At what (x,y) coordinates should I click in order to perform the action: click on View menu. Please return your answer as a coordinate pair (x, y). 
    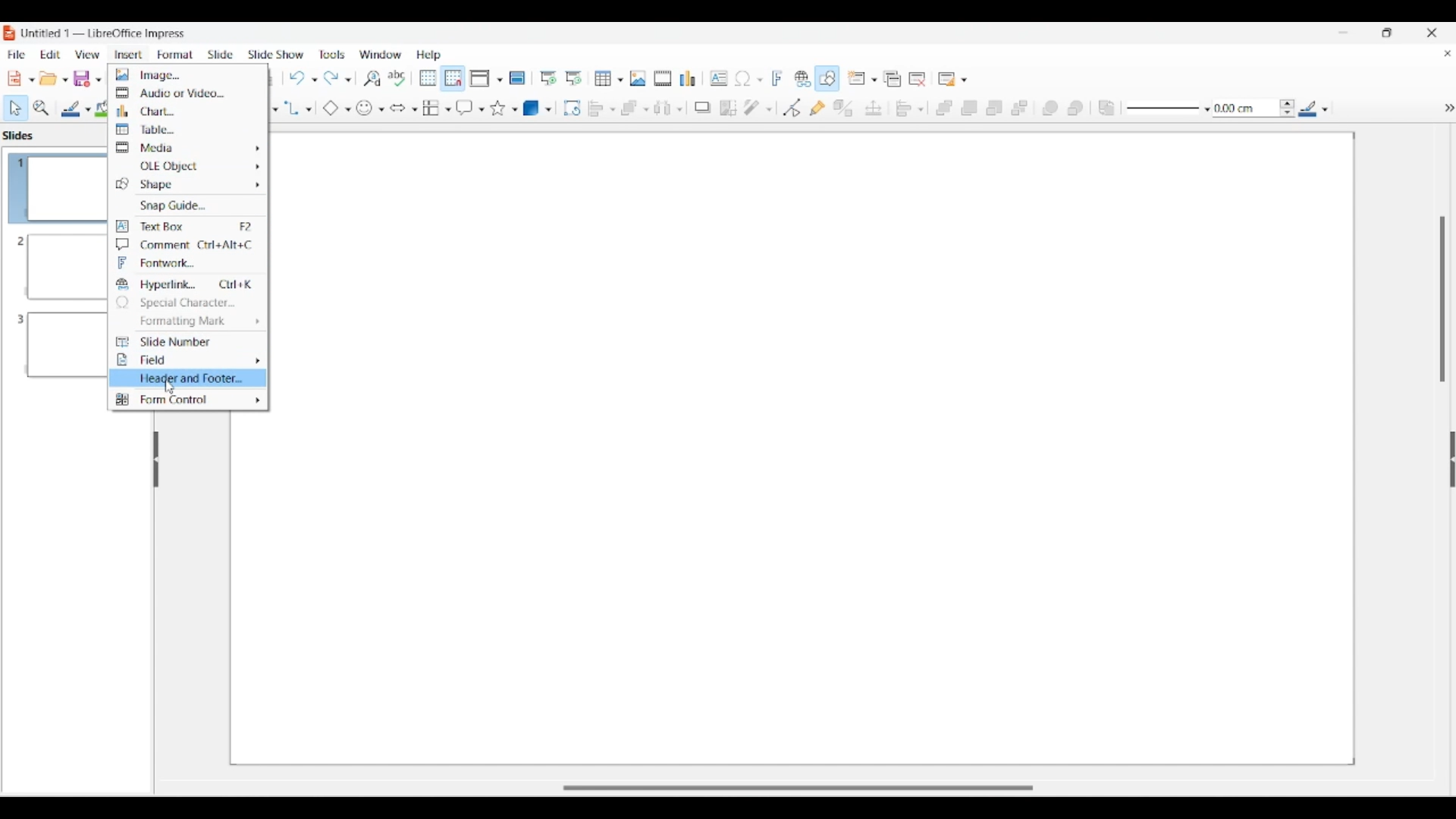
    Looking at the image, I should click on (88, 55).